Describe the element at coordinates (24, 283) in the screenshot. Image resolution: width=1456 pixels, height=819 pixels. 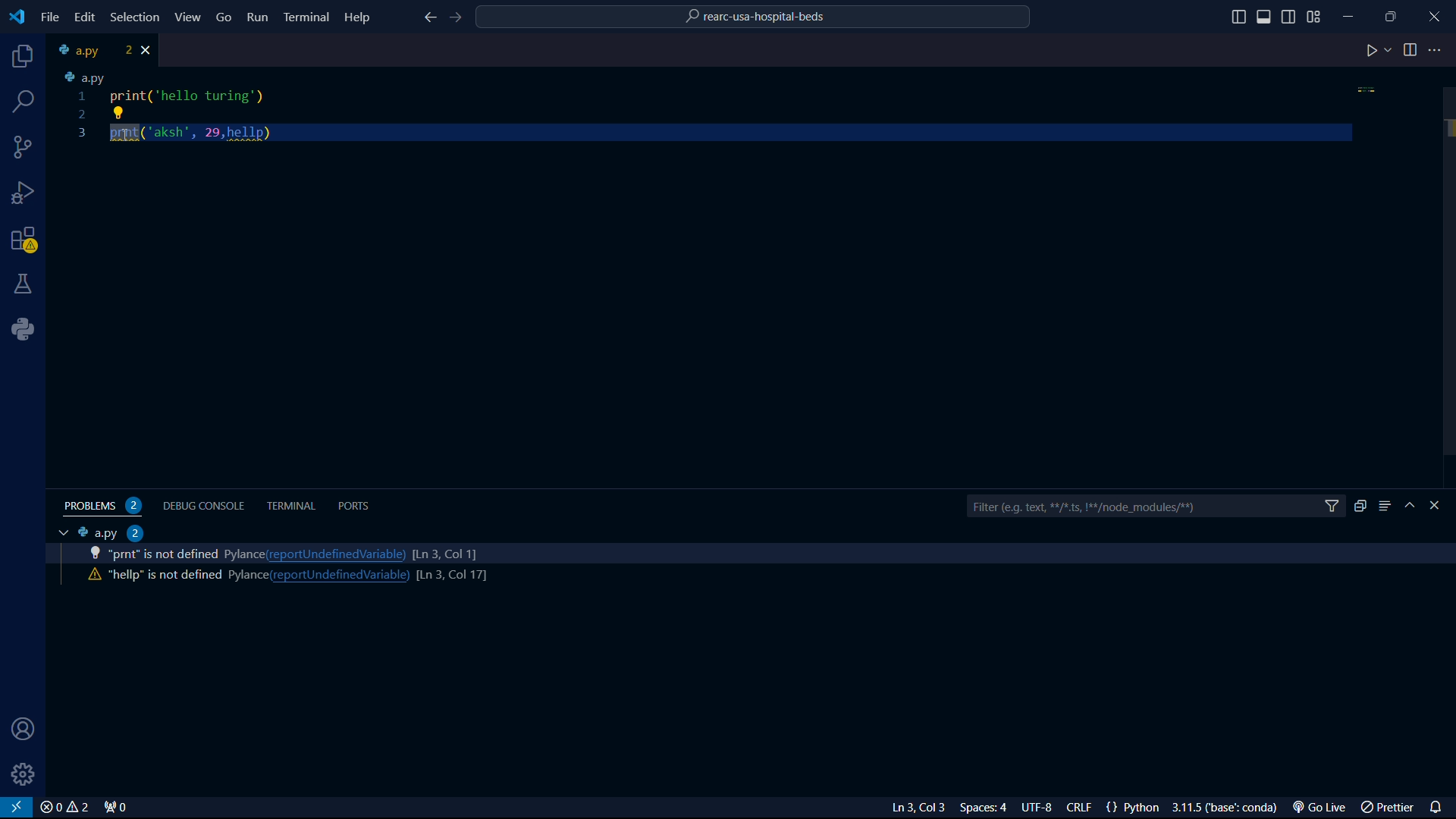
I see `labs` at that location.